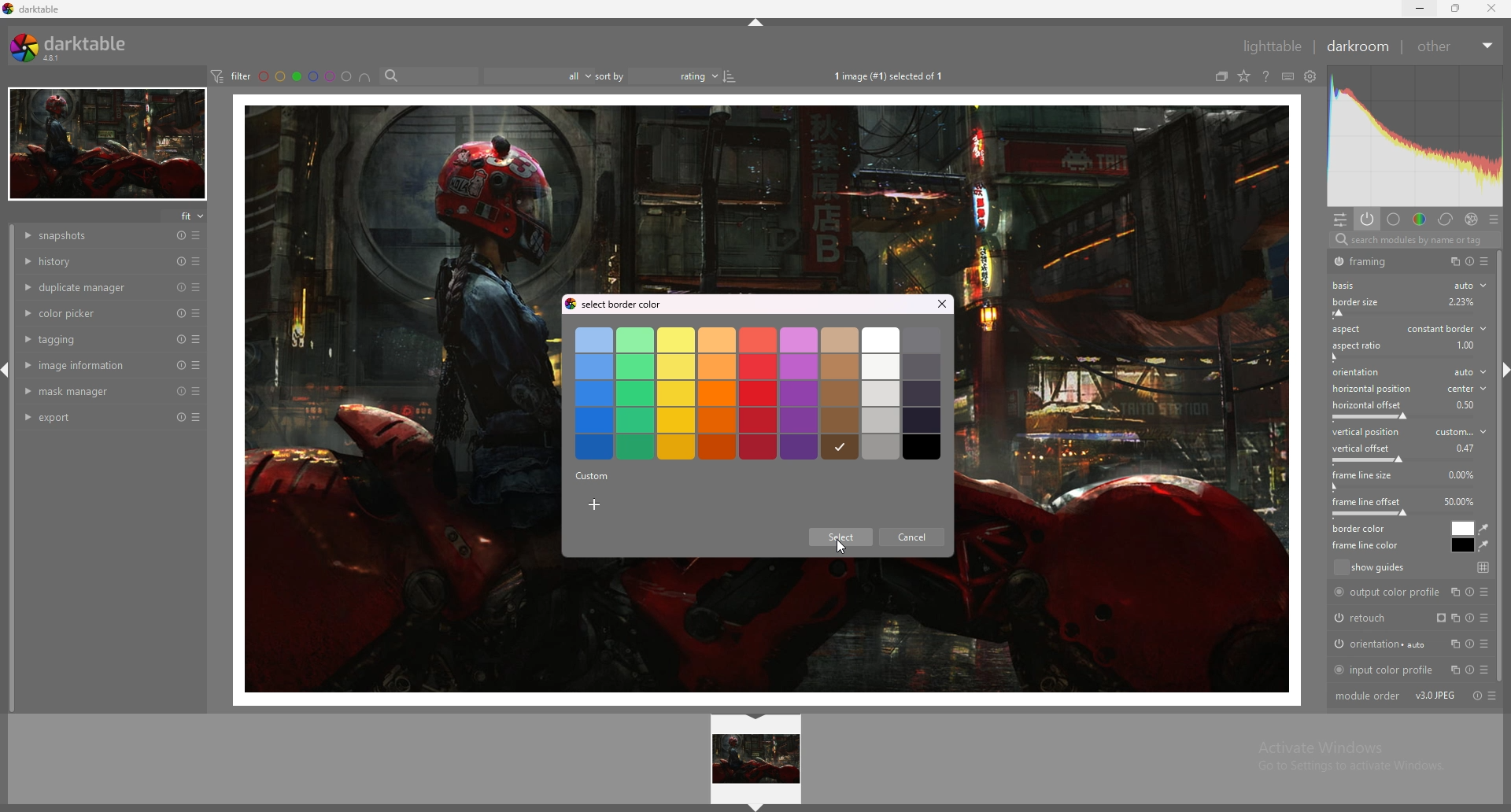 The height and width of the screenshot is (812, 1511). I want to click on presets, so click(197, 261).